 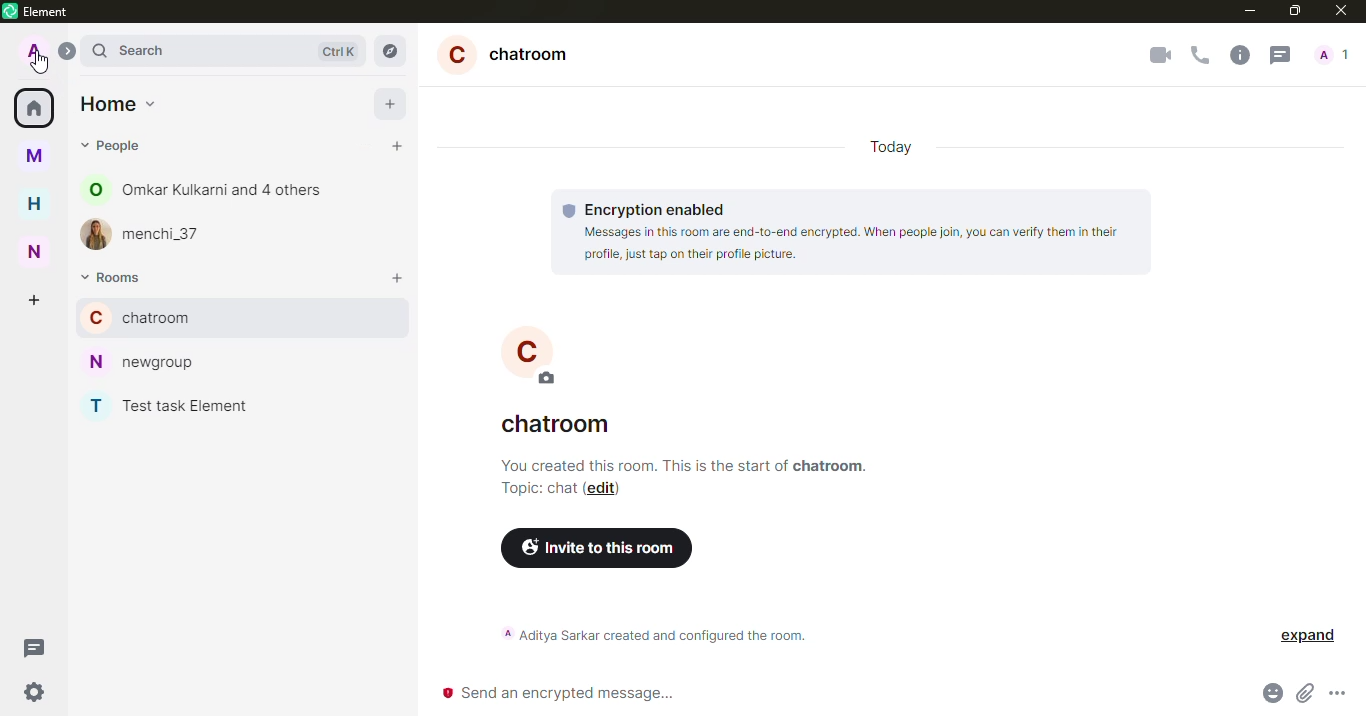 What do you see at coordinates (1158, 54) in the screenshot?
I see `video call` at bounding box center [1158, 54].